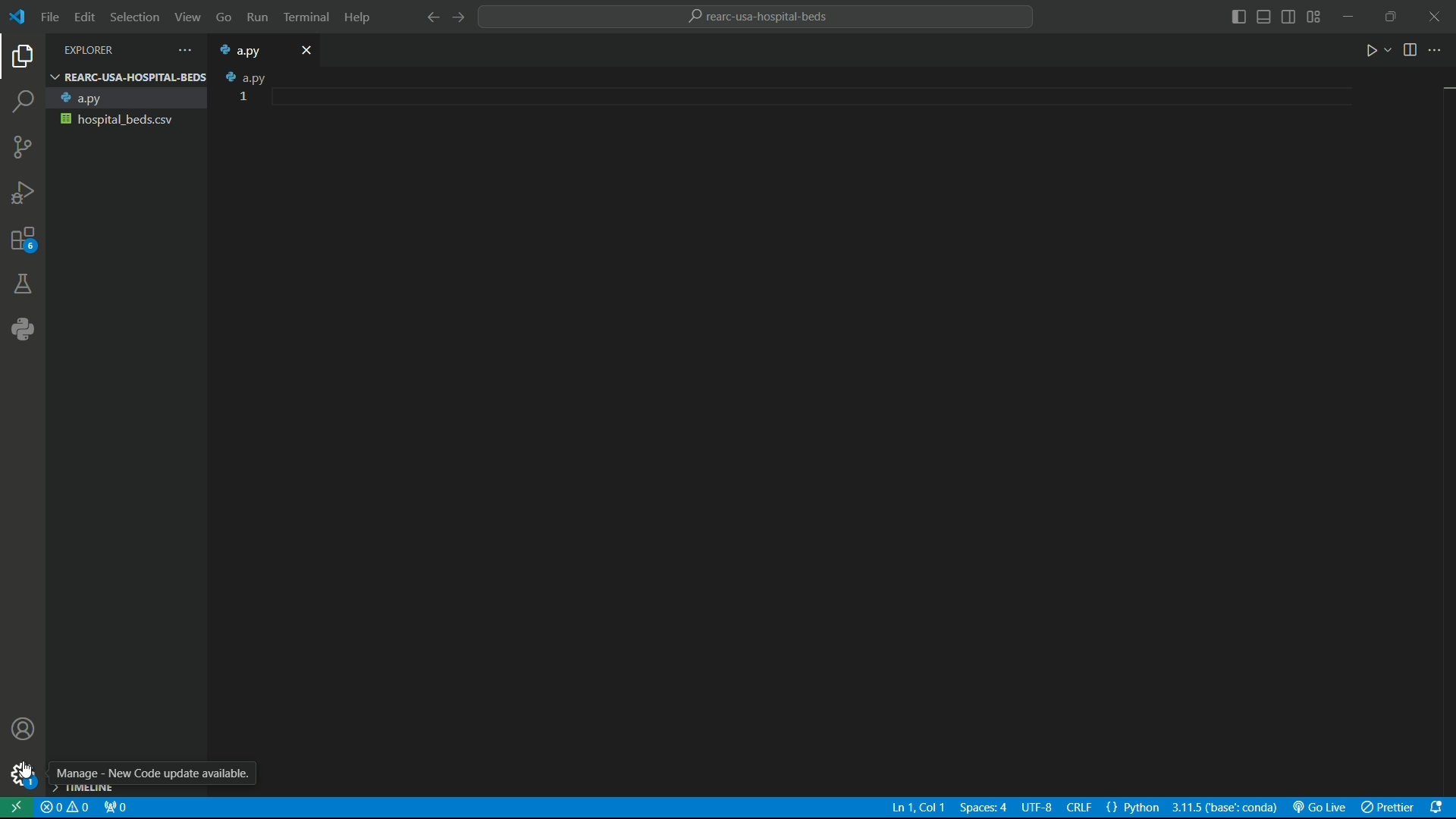 Image resolution: width=1456 pixels, height=819 pixels. What do you see at coordinates (1435, 17) in the screenshot?
I see `close app` at bounding box center [1435, 17].